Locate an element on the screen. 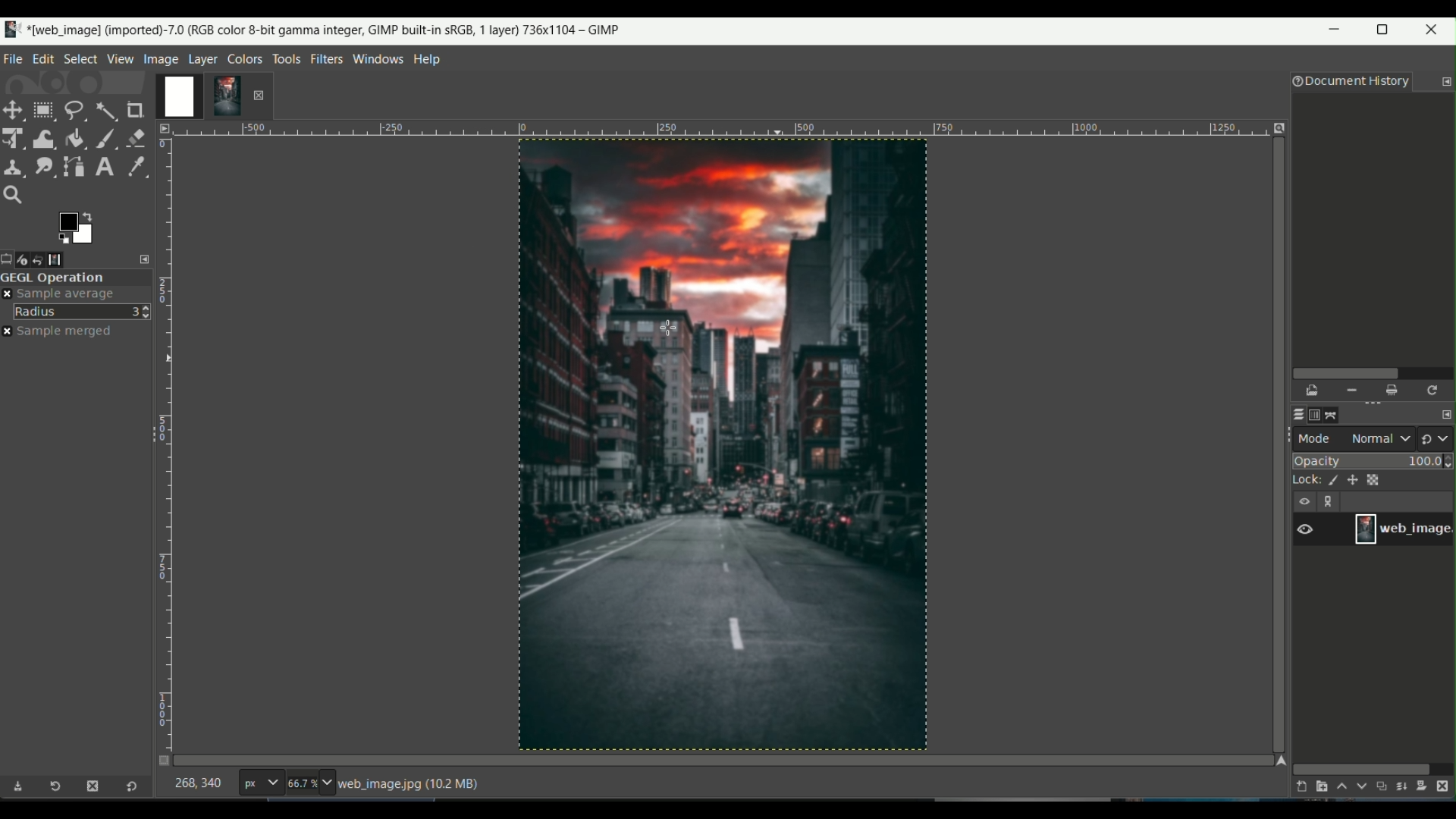  clone tool is located at coordinates (14, 166).